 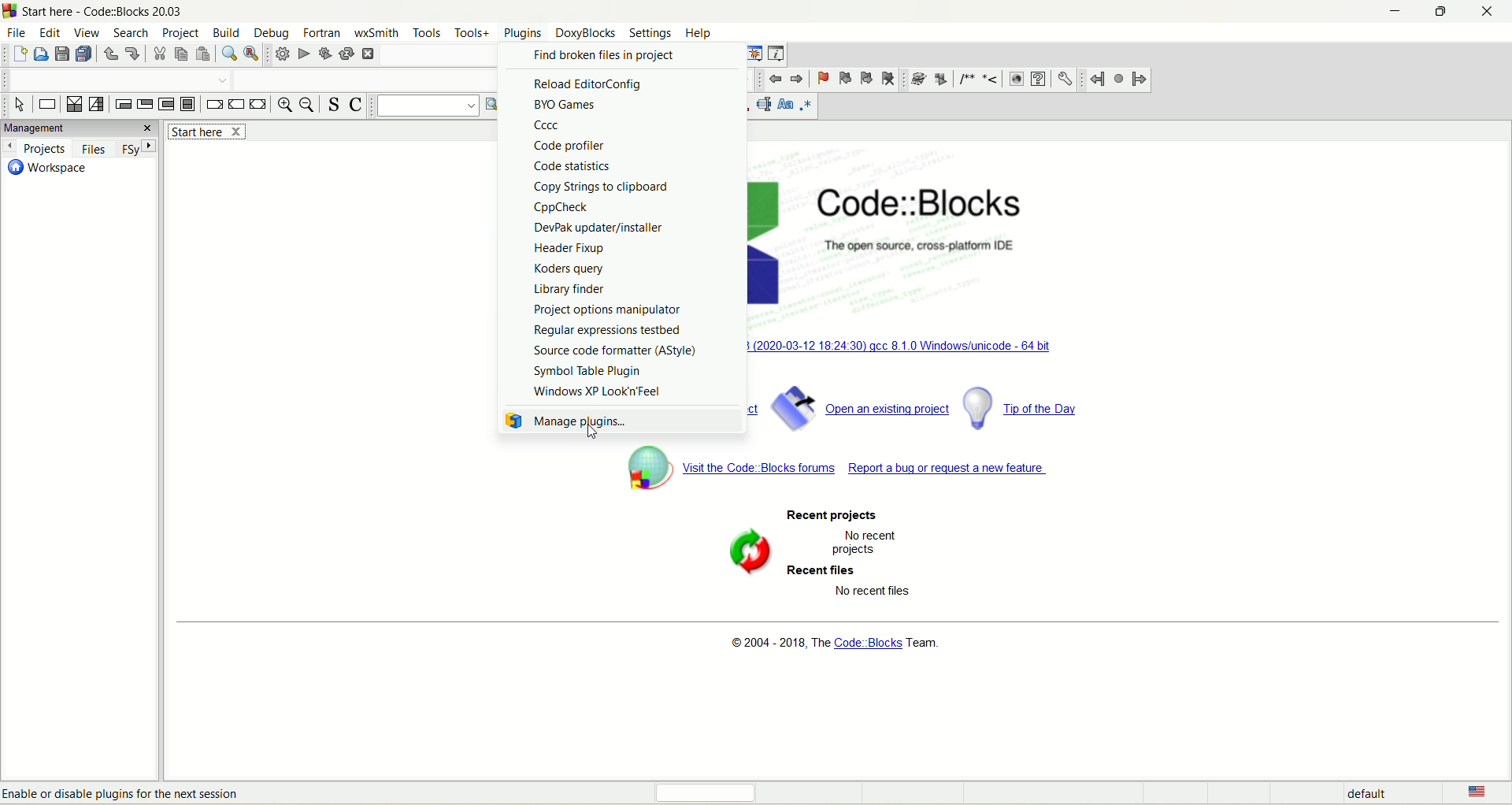 I want to click on Cccc, so click(x=550, y=126).